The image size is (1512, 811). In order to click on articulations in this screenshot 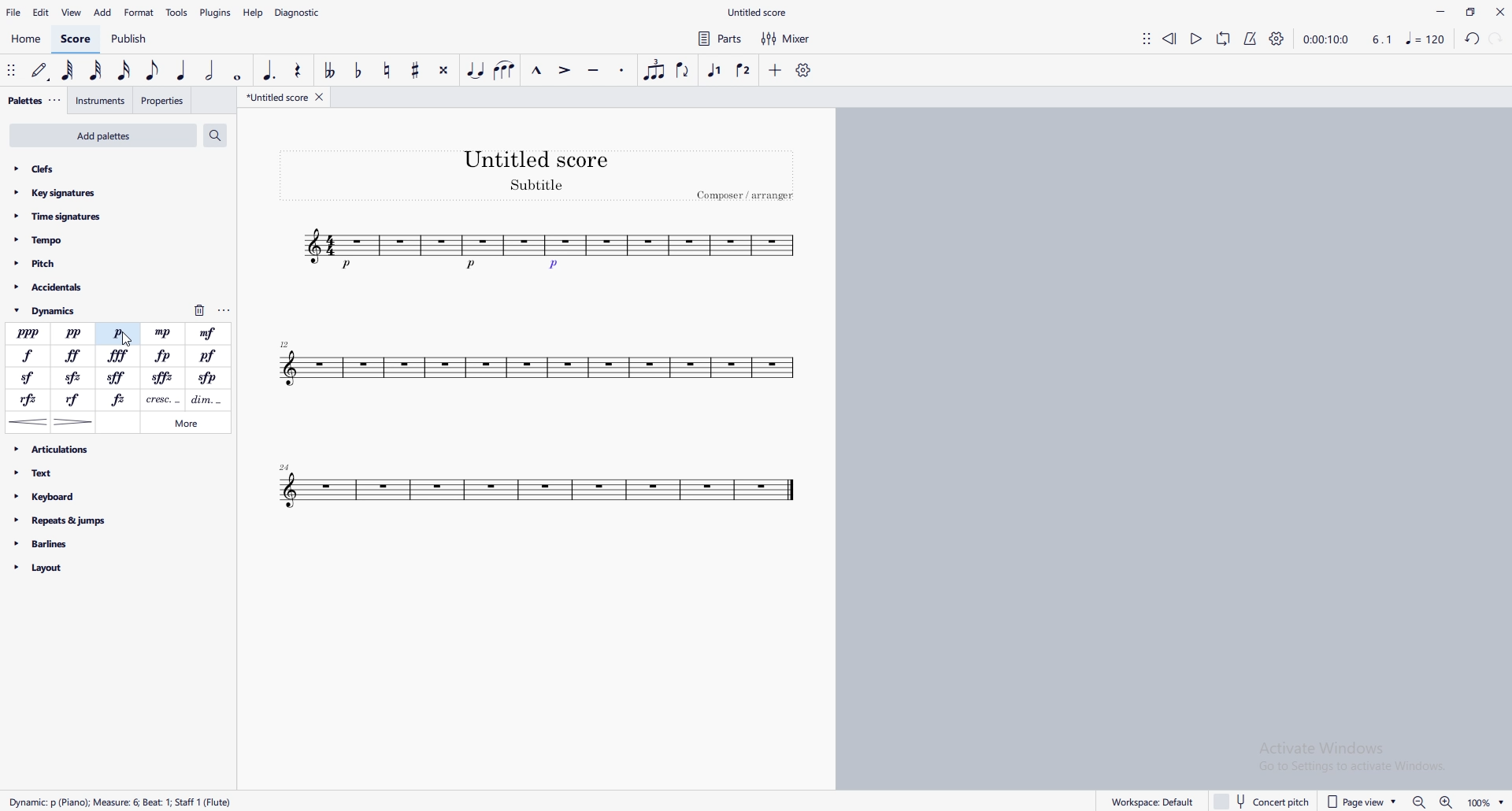, I will do `click(102, 450)`.